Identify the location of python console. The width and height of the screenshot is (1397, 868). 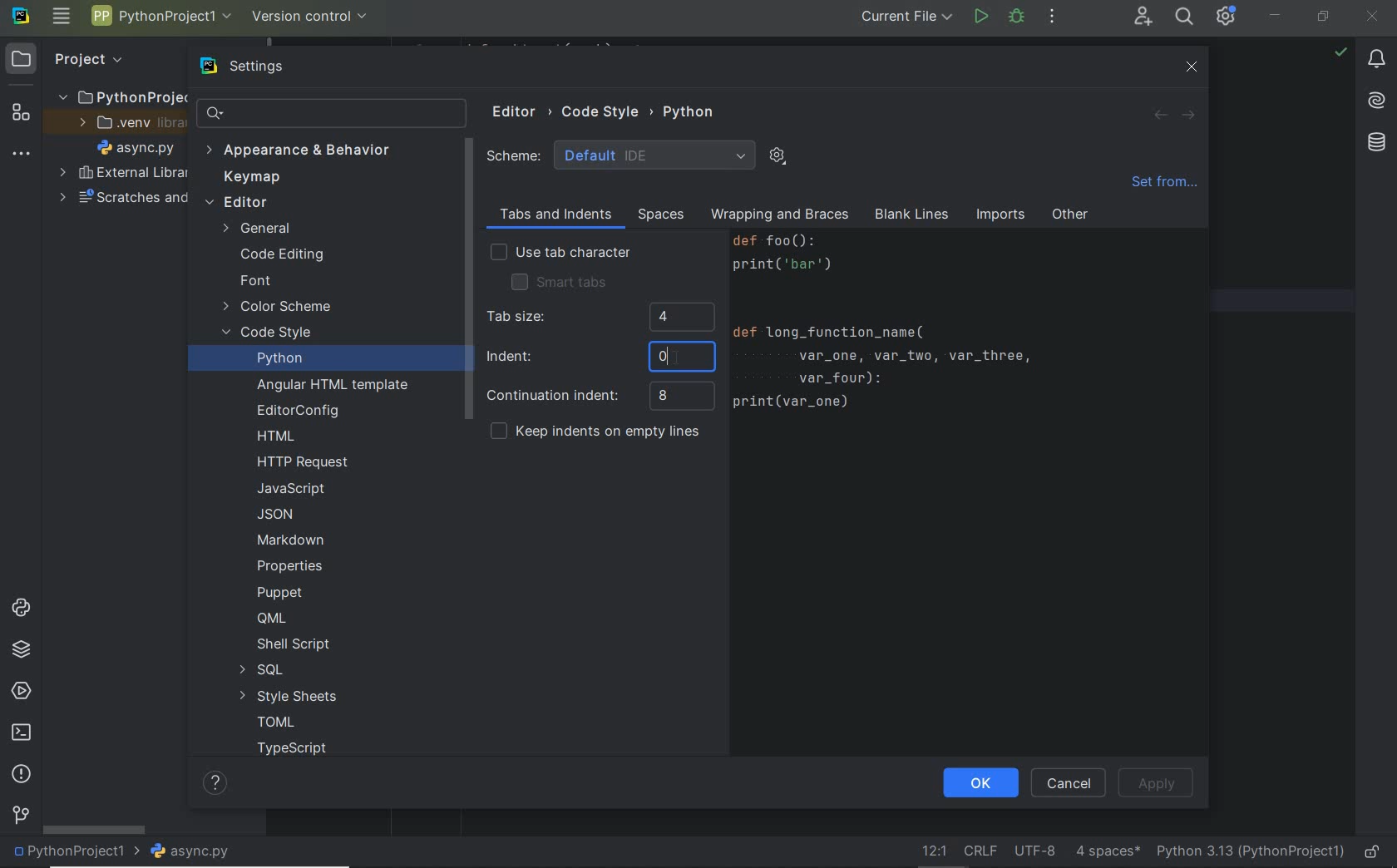
(24, 609).